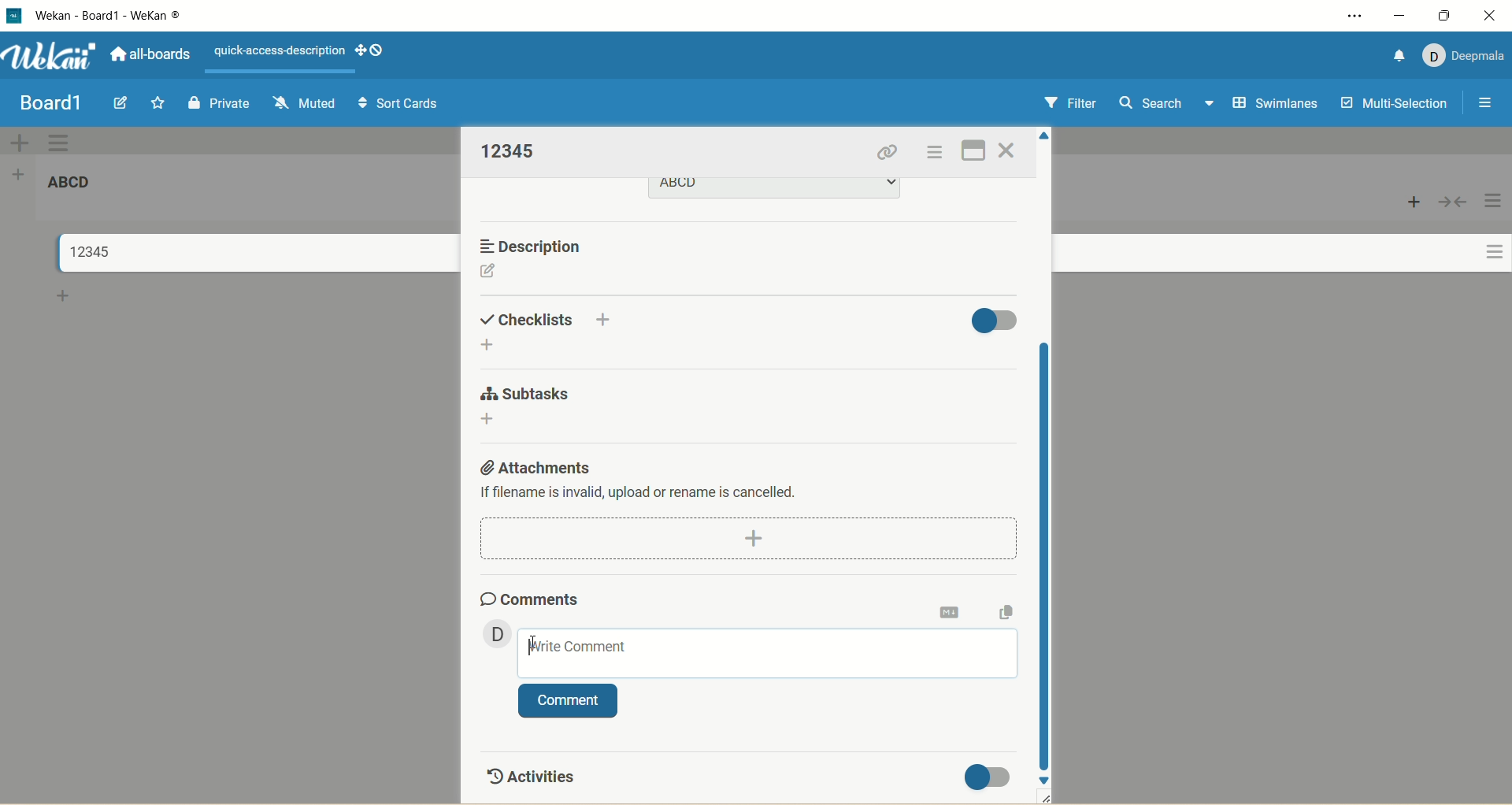  What do you see at coordinates (641, 494) in the screenshot?
I see `text` at bounding box center [641, 494].